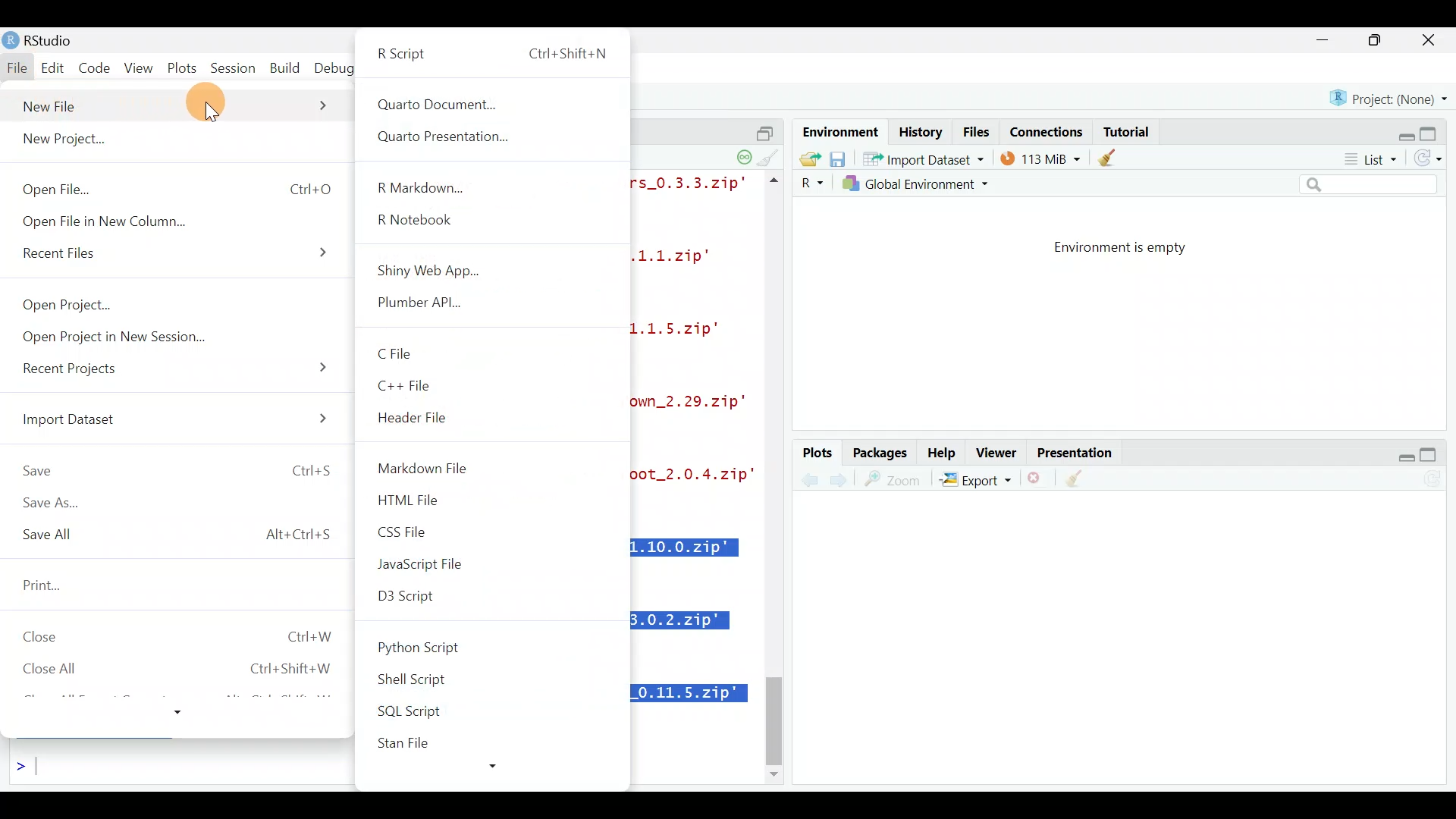  I want to click on maximize, so click(1379, 39).